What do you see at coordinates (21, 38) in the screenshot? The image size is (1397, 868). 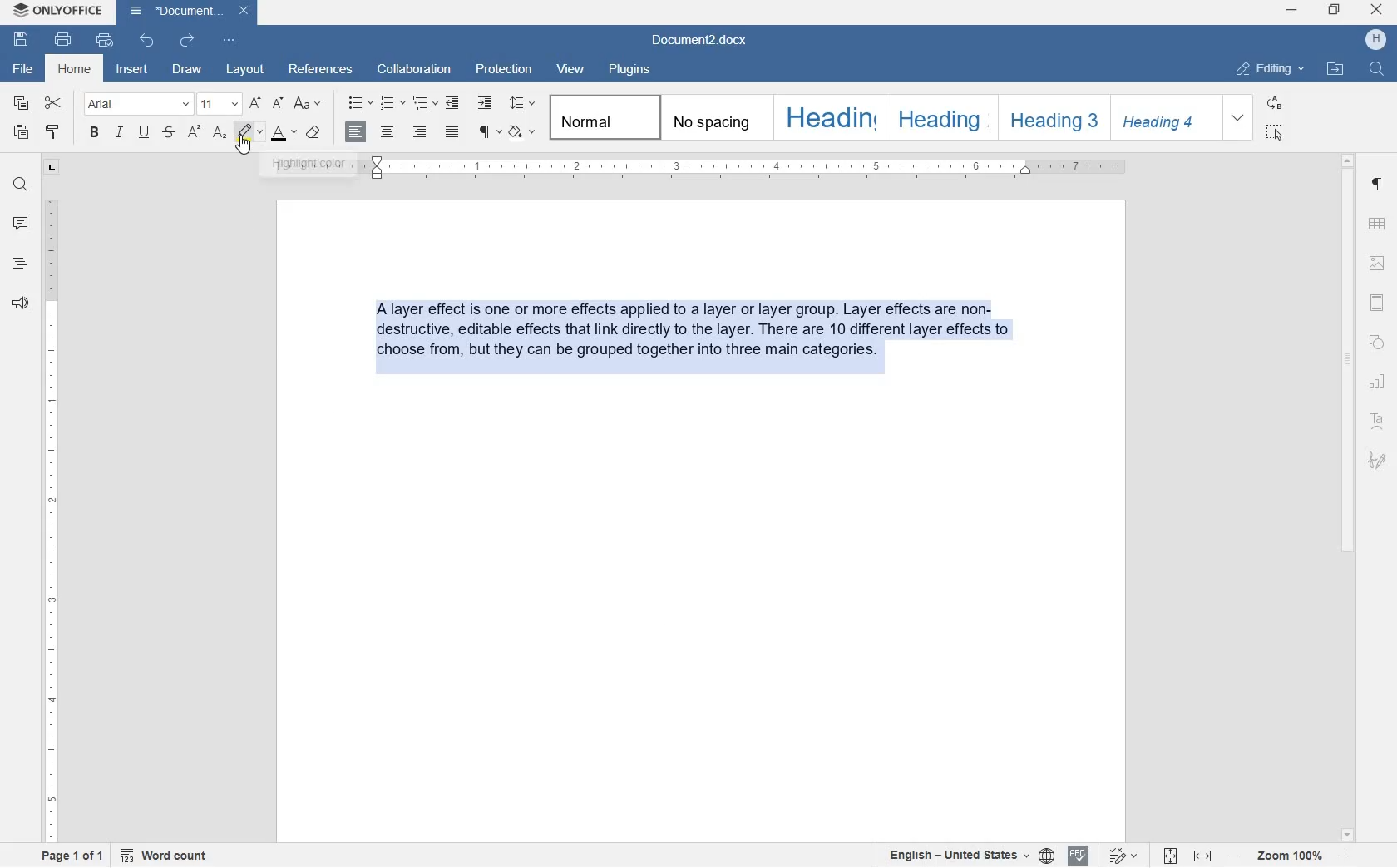 I see `SAVE` at bounding box center [21, 38].